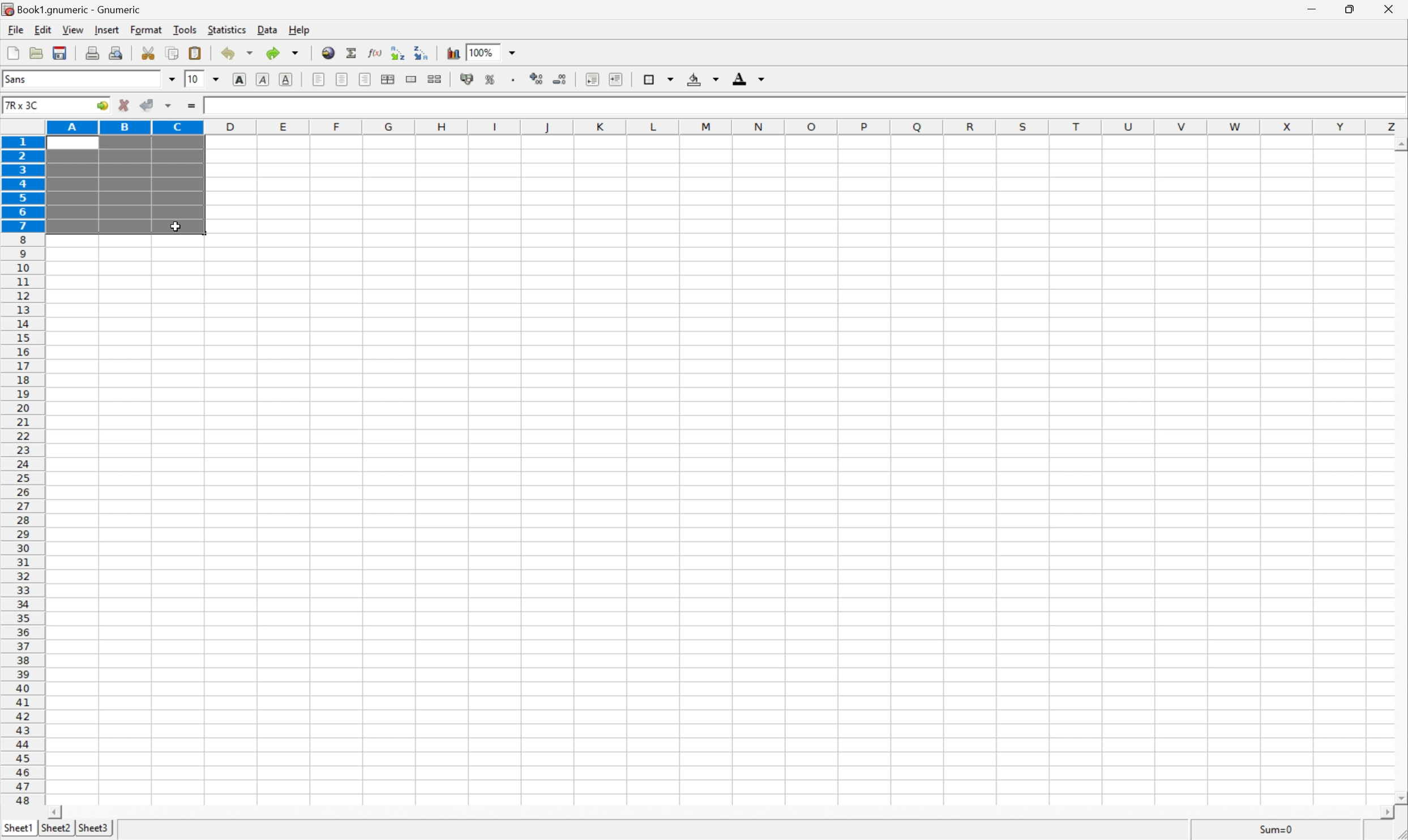  What do you see at coordinates (343, 80) in the screenshot?
I see `center horizontally` at bounding box center [343, 80].